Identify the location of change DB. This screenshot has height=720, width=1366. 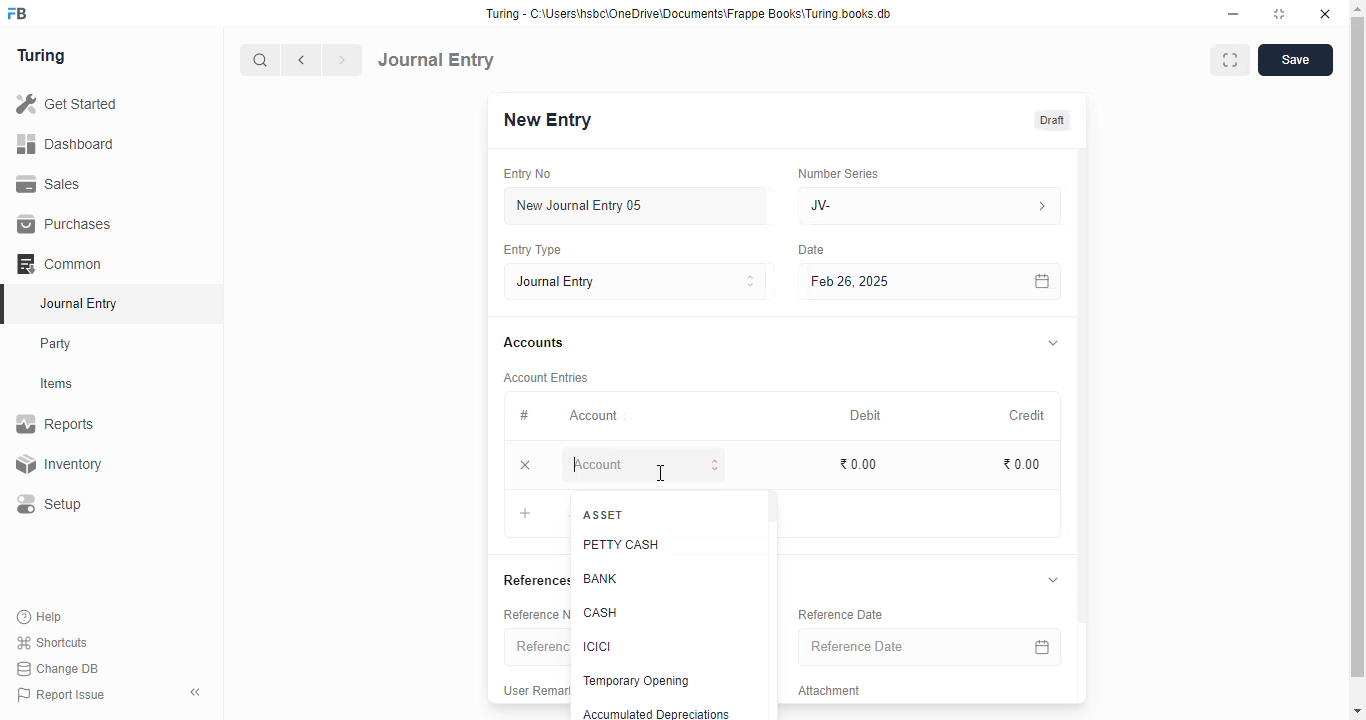
(58, 669).